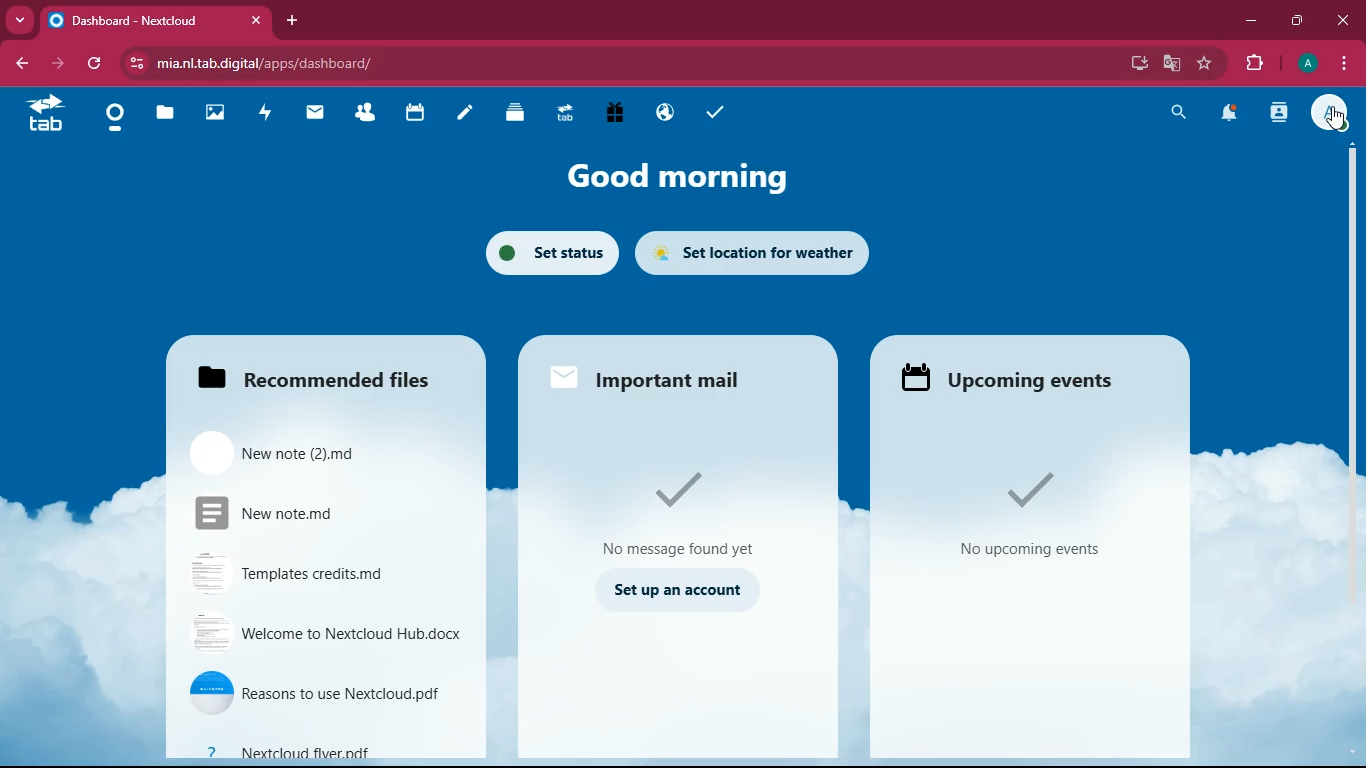 This screenshot has width=1366, height=768. I want to click on maximize, so click(1295, 21).